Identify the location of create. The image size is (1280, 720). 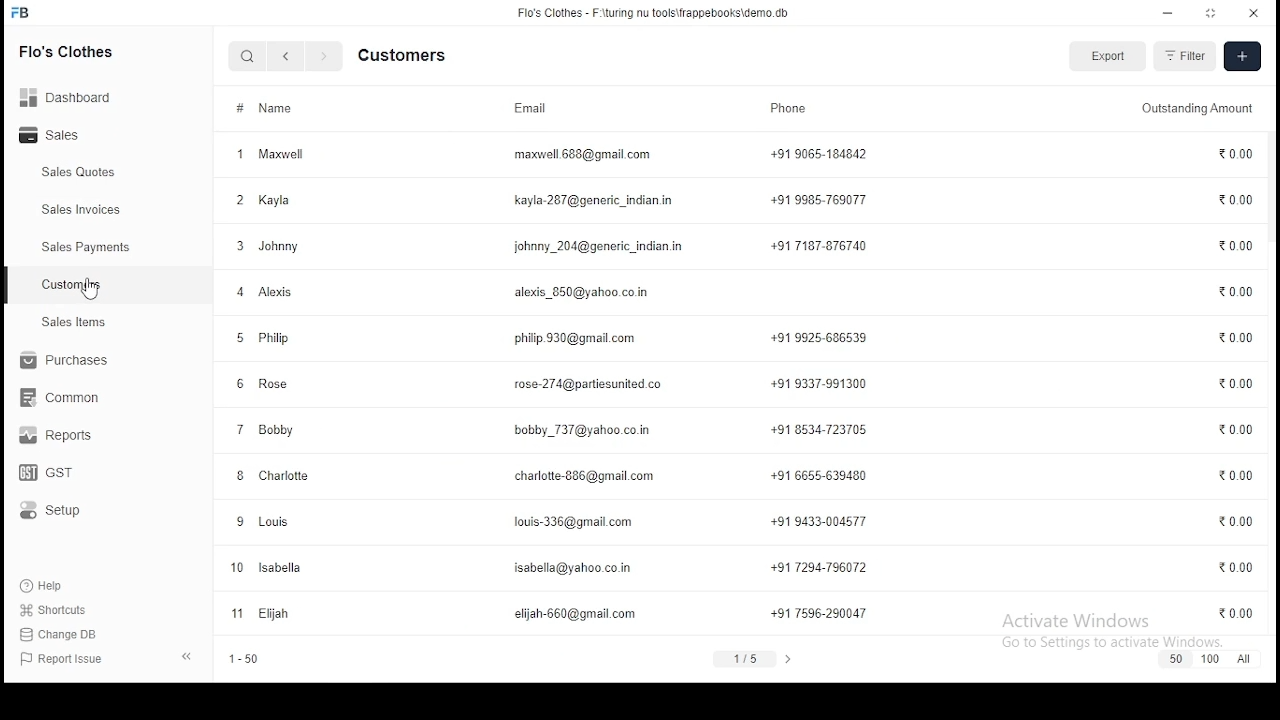
(1246, 56).